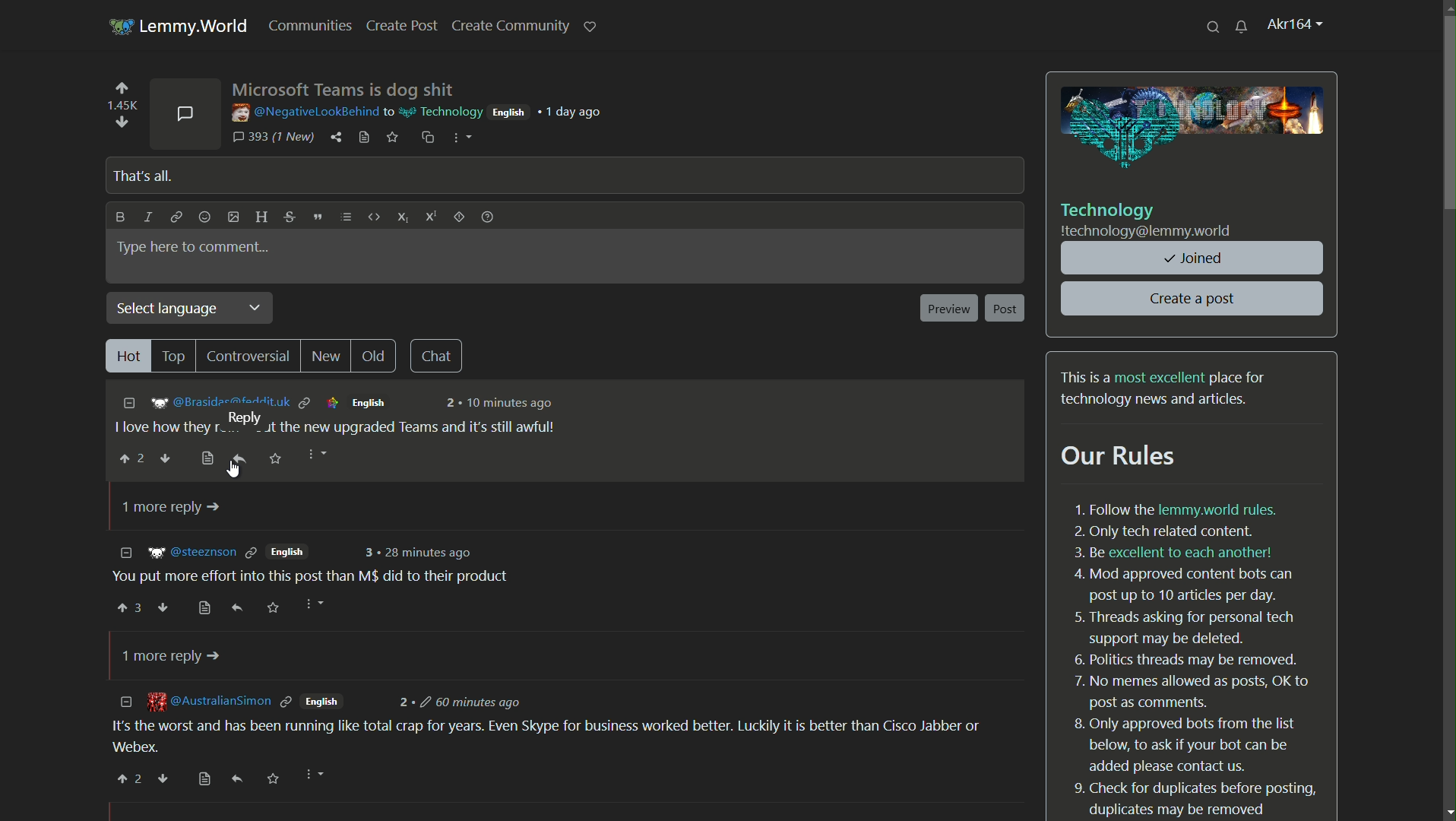 This screenshot has height=821, width=1456. Describe the element at coordinates (1109, 210) in the screenshot. I see `community name` at that location.